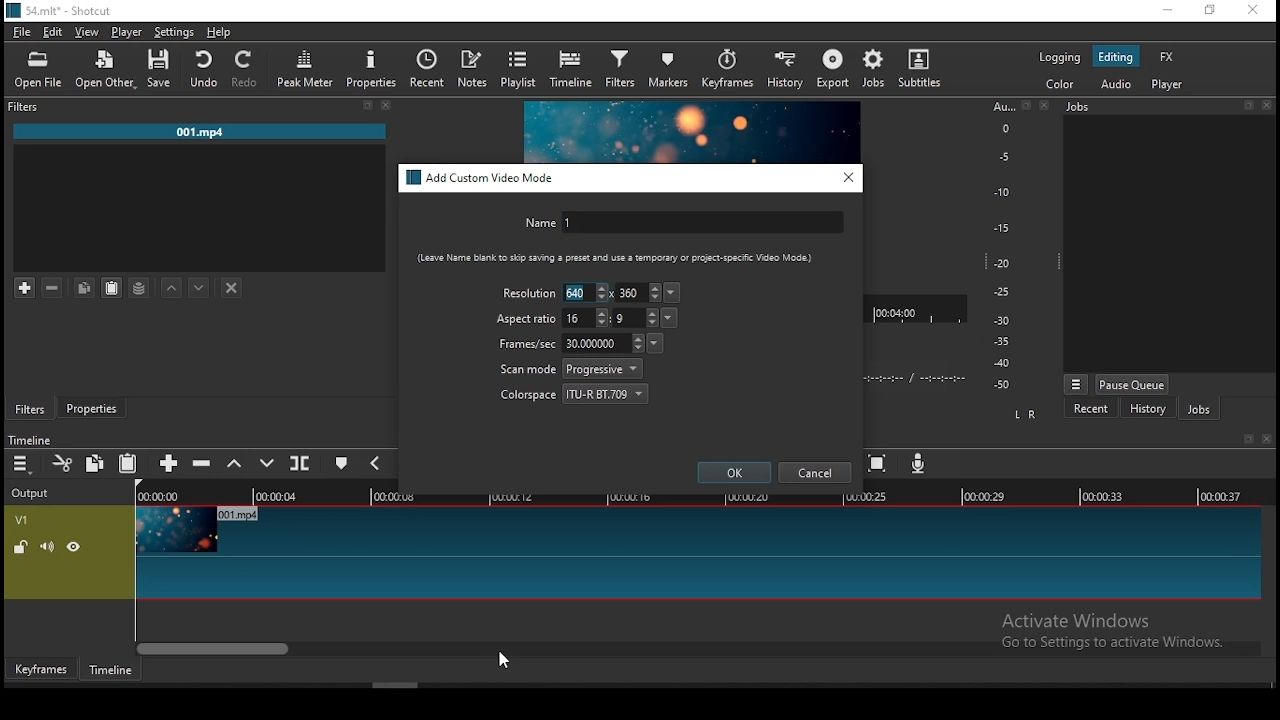  What do you see at coordinates (586, 318) in the screenshot?
I see `width` at bounding box center [586, 318].